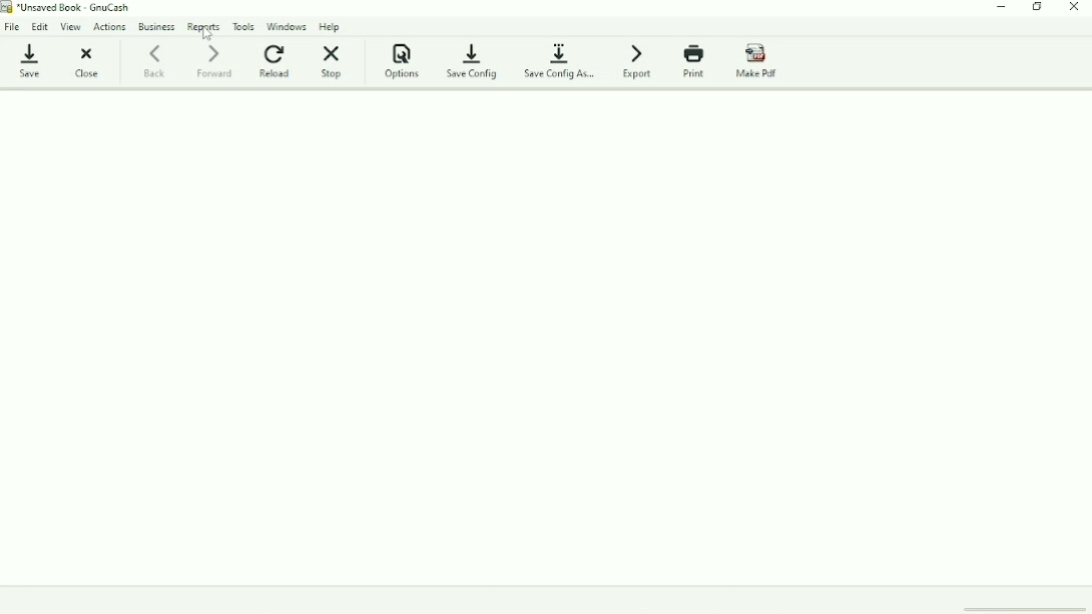 The image size is (1092, 614). Describe the element at coordinates (207, 34) in the screenshot. I see `Cursor` at that location.